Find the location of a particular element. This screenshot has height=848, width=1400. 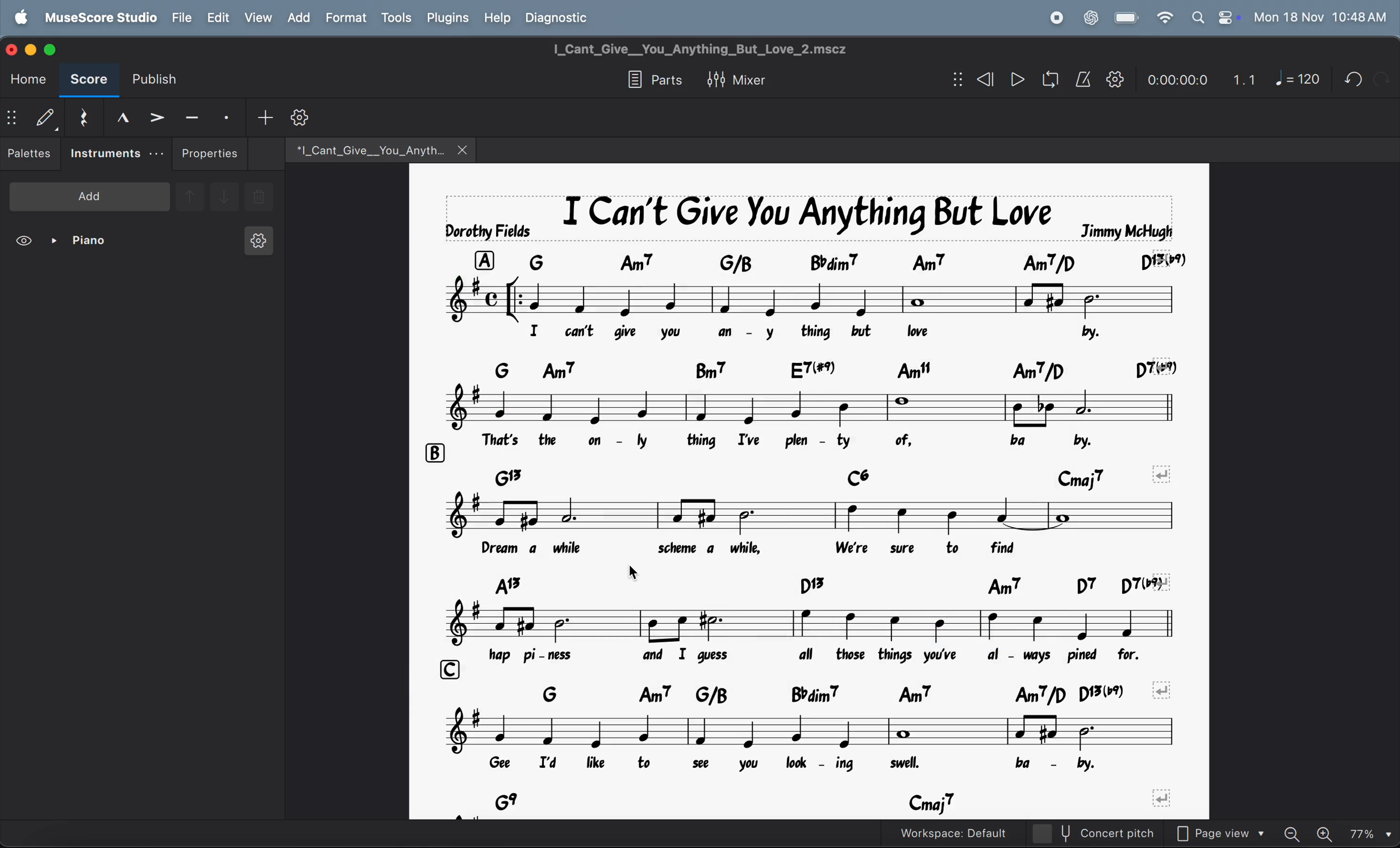

song page title is located at coordinates (720, 49).